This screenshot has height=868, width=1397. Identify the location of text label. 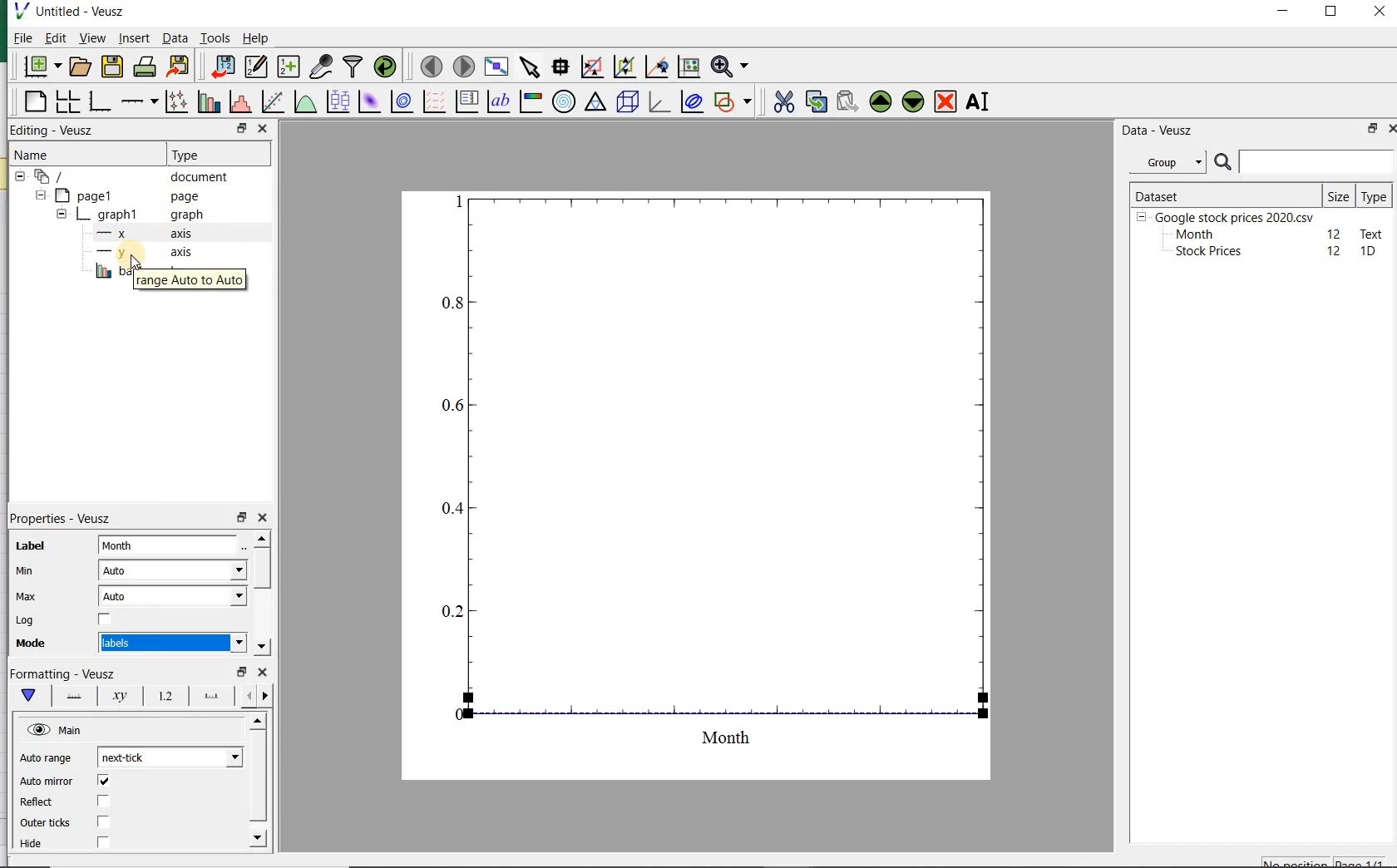
(498, 103).